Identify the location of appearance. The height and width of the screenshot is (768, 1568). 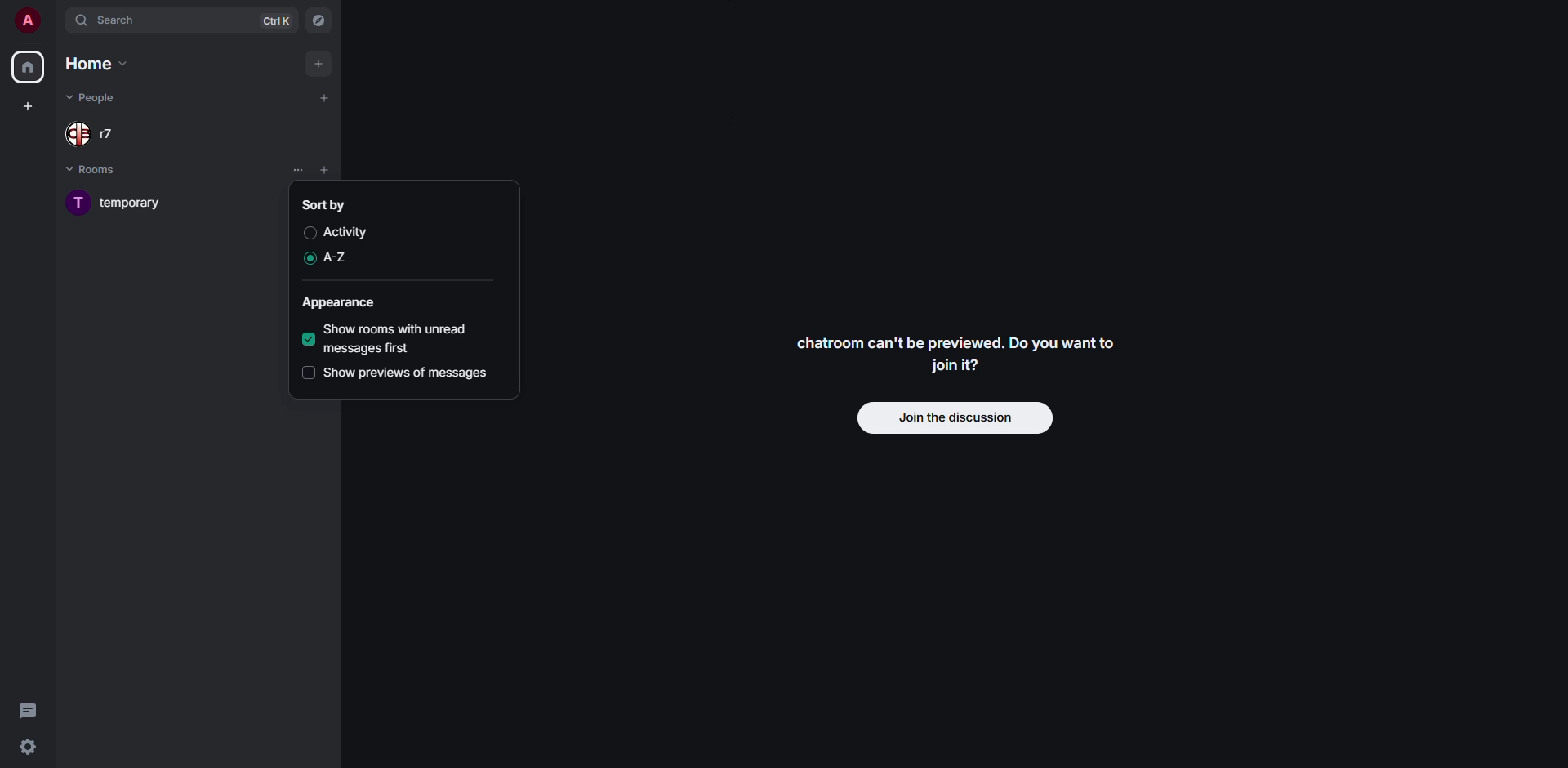
(341, 302).